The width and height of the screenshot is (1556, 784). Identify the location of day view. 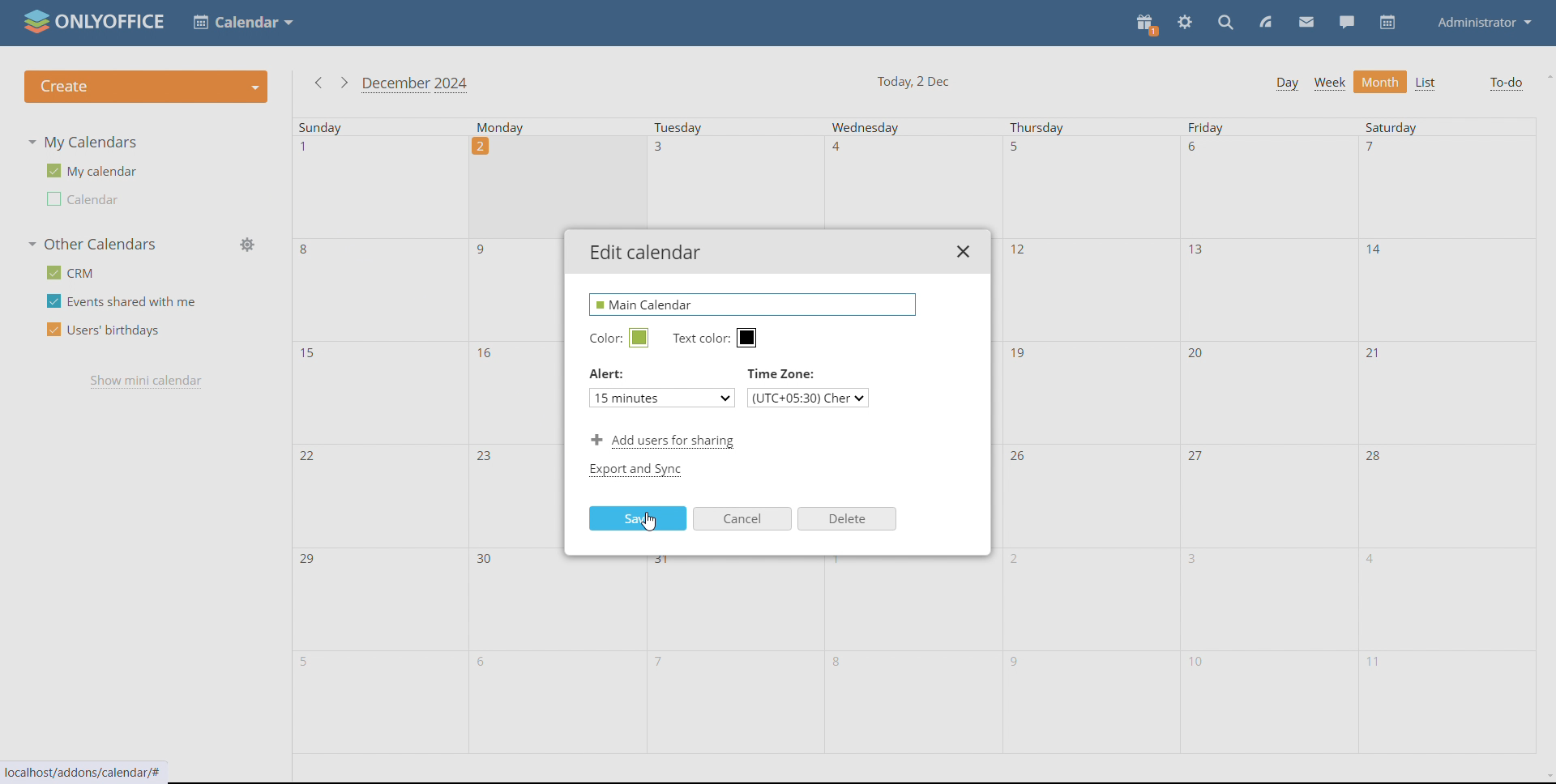
(1287, 83).